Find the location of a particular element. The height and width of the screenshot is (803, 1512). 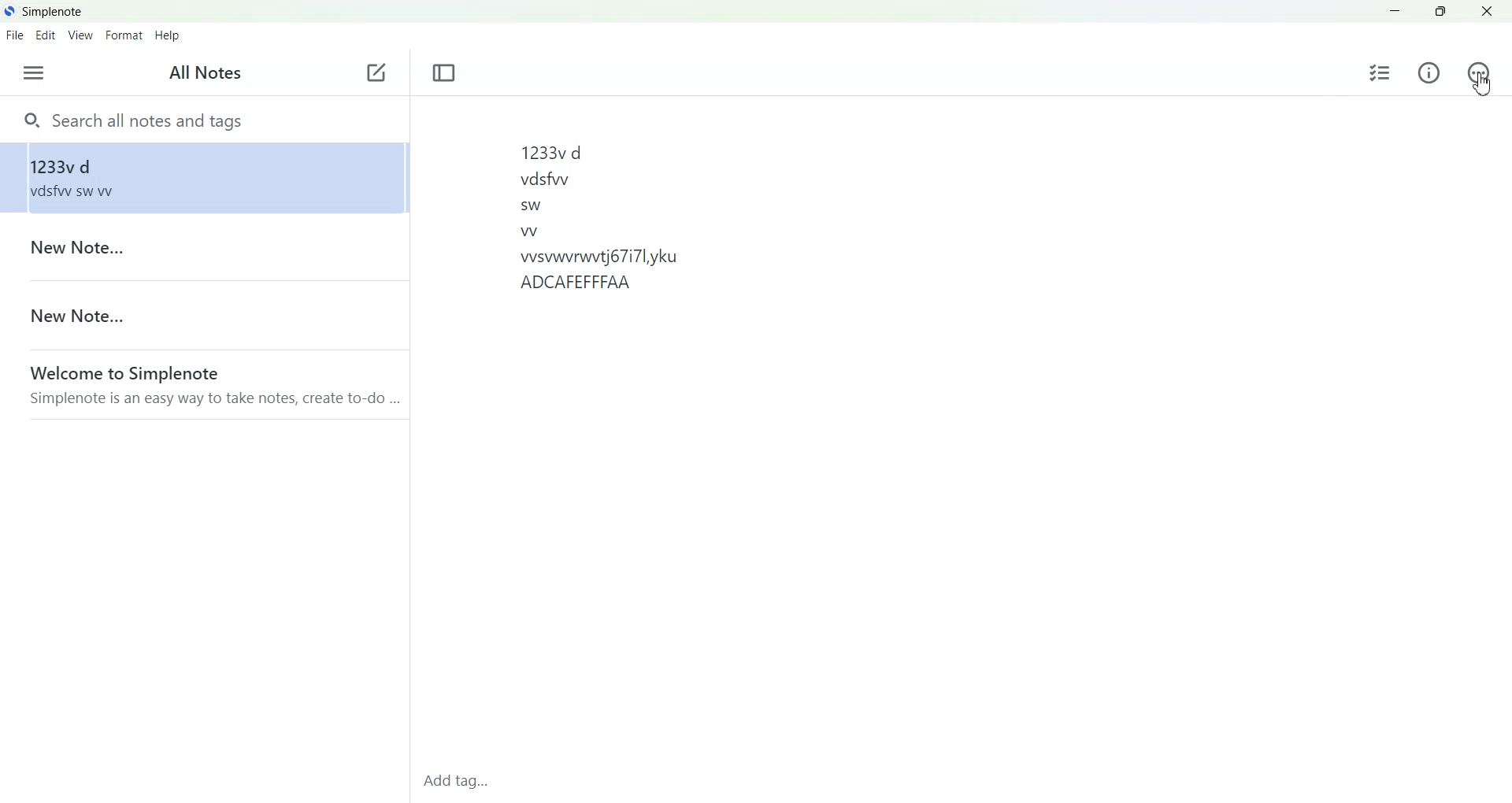

File is located at coordinates (15, 35).